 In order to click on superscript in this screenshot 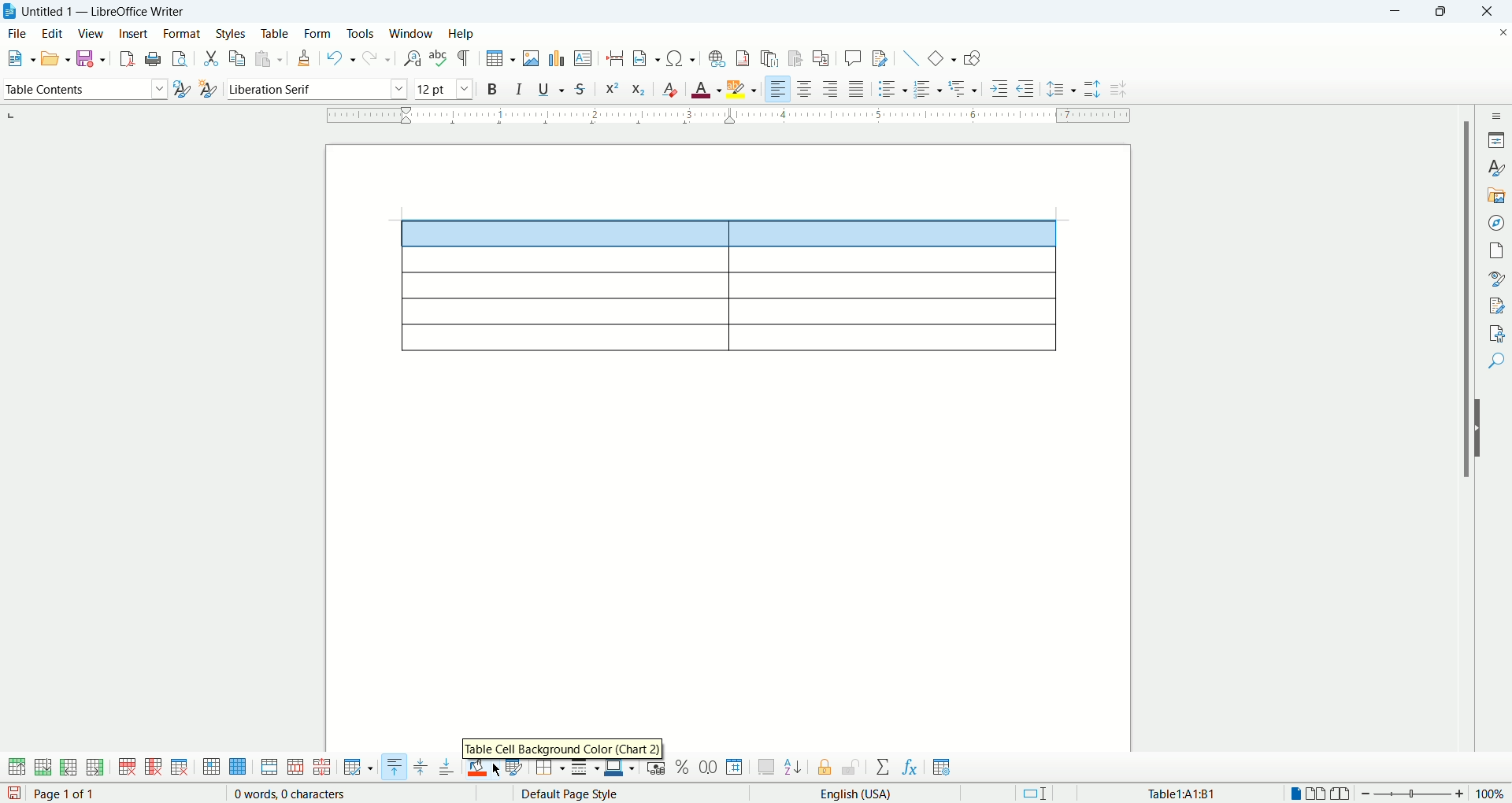, I will do `click(611, 89)`.